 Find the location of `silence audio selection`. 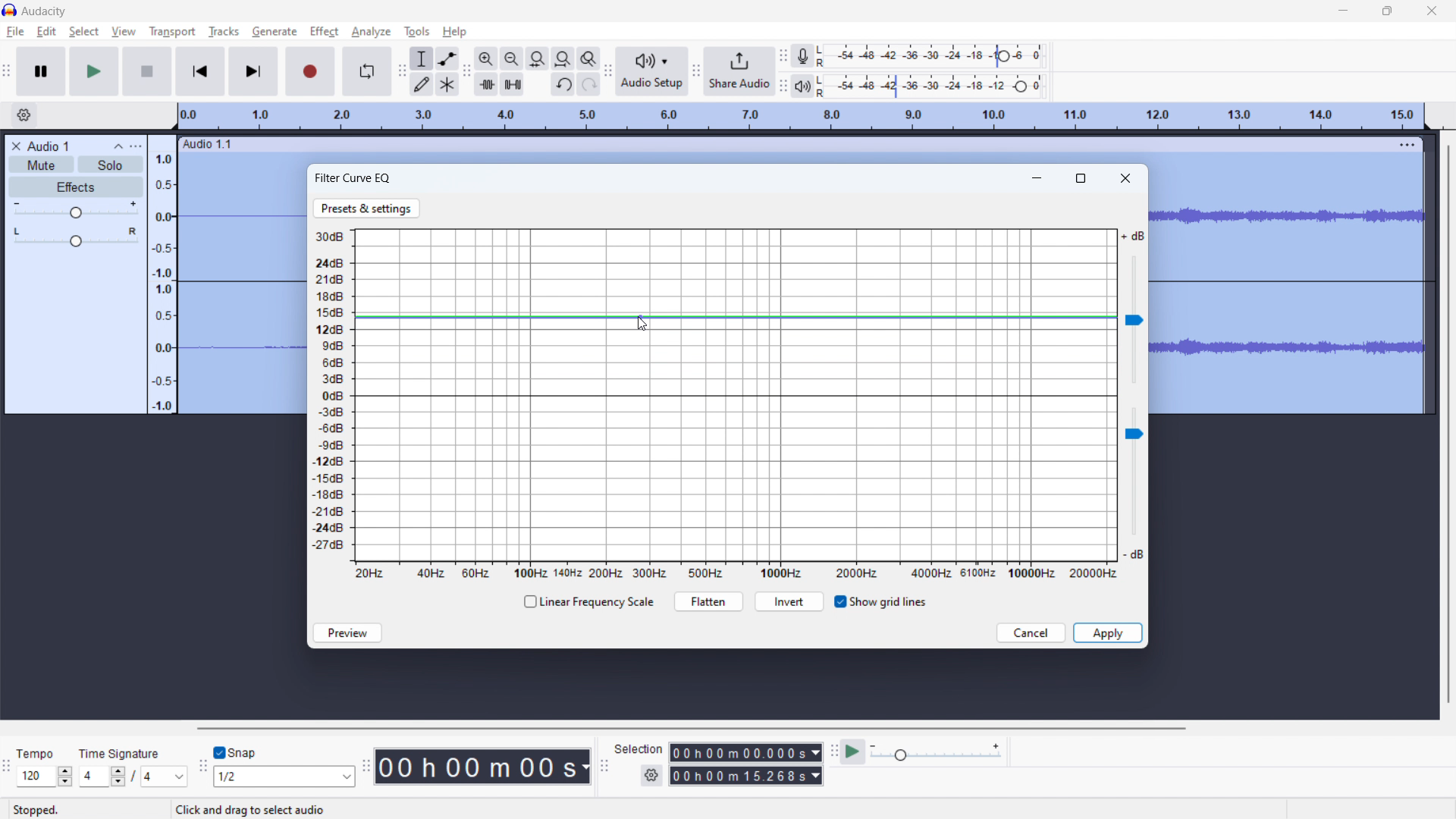

silence audio selection is located at coordinates (513, 84).